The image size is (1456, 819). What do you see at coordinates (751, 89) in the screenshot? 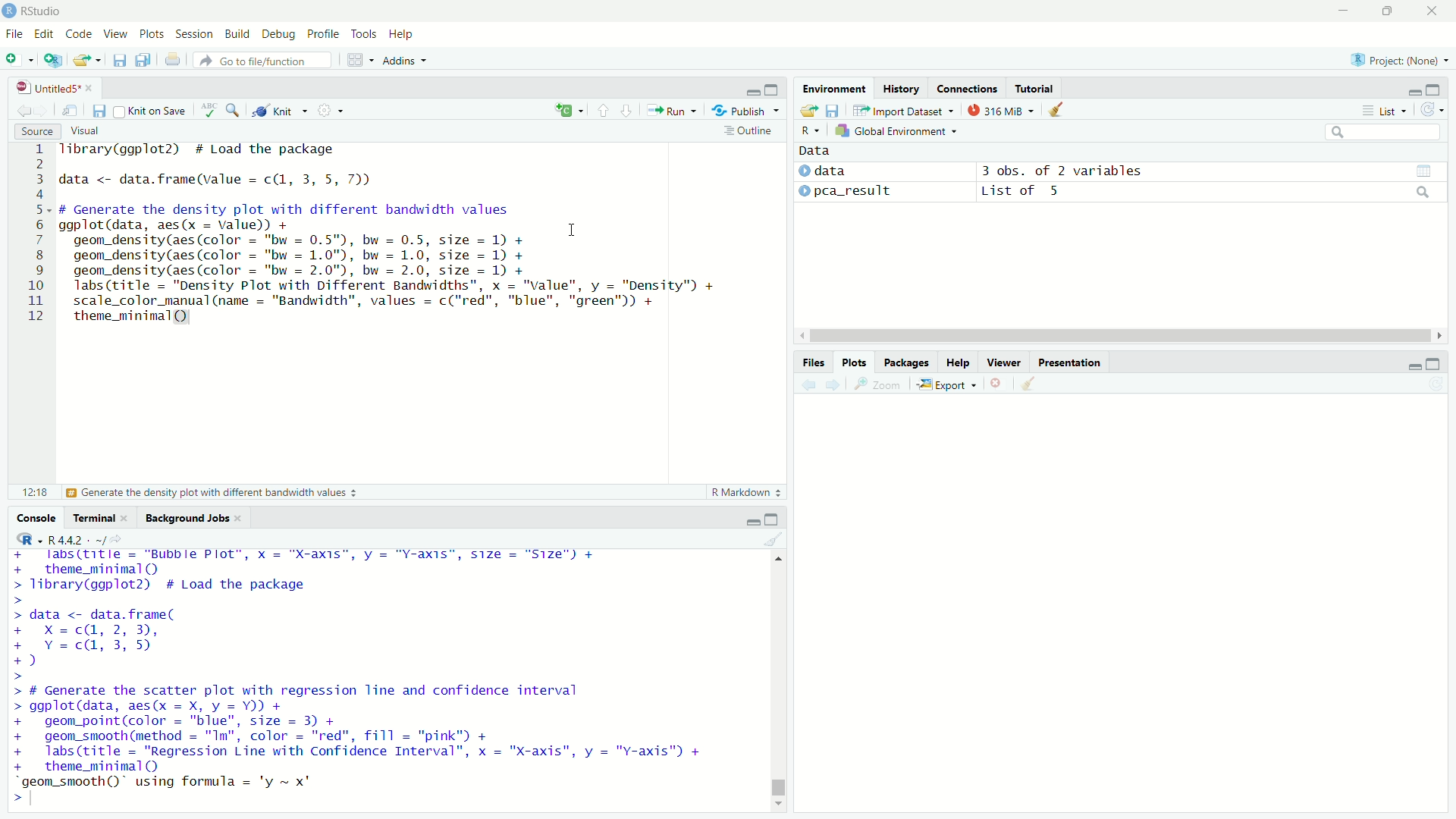
I see `minimize` at bounding box center [751, 89].